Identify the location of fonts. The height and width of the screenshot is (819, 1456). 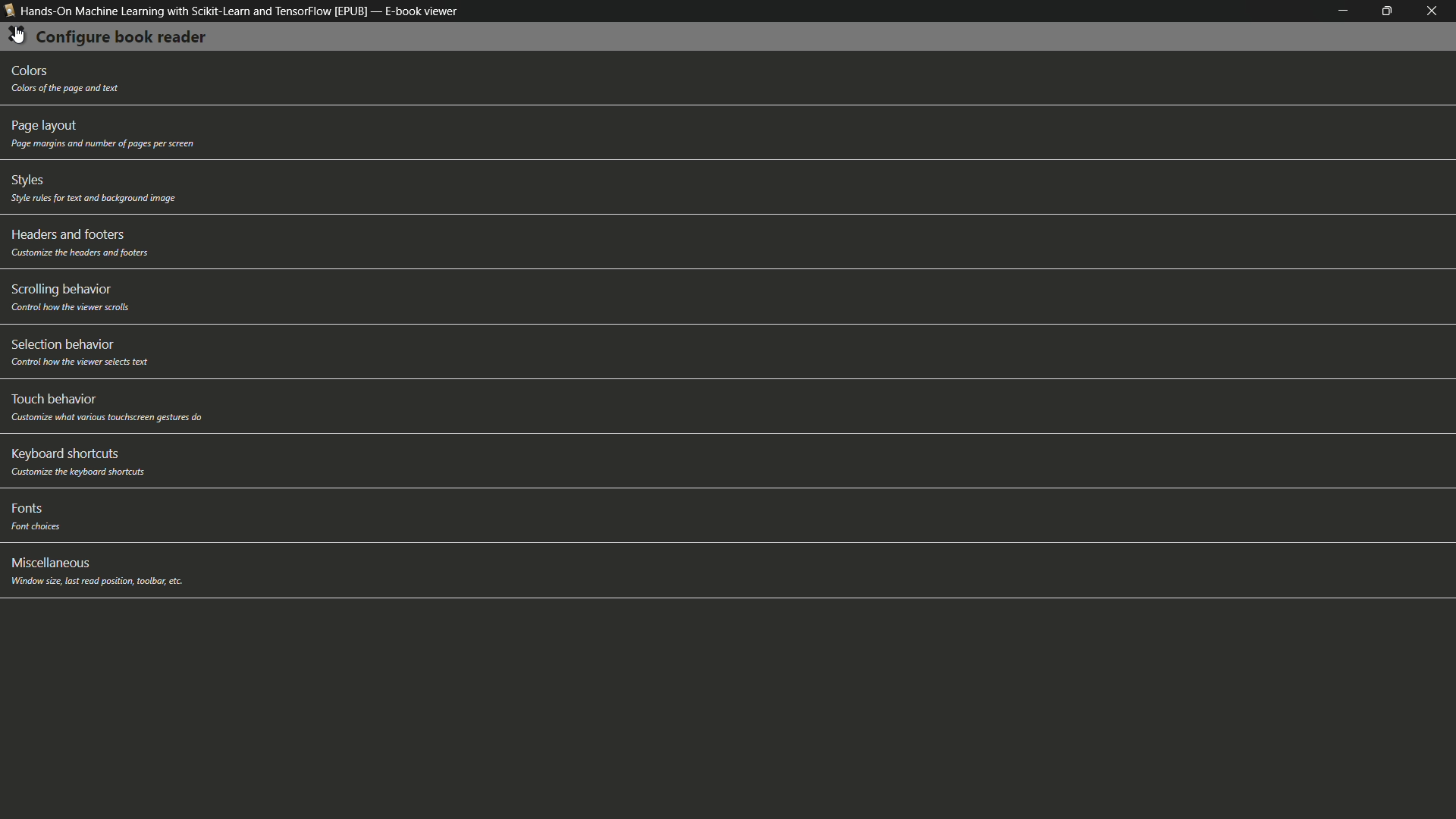
(24, 508).